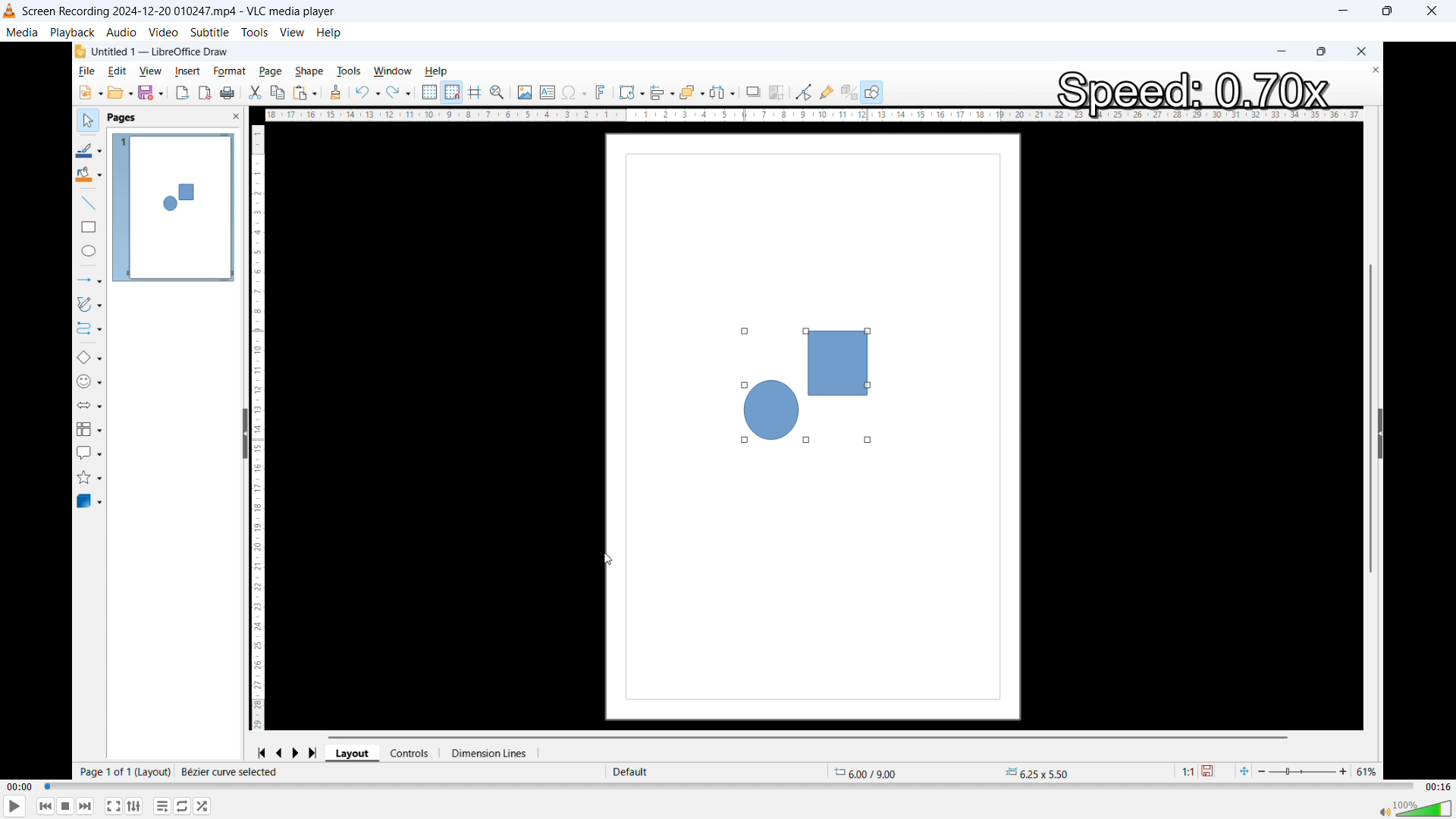  What do you see at coordinates (292, 31) in the screenshot?
I see `View ` at bounding box center [292, 31].